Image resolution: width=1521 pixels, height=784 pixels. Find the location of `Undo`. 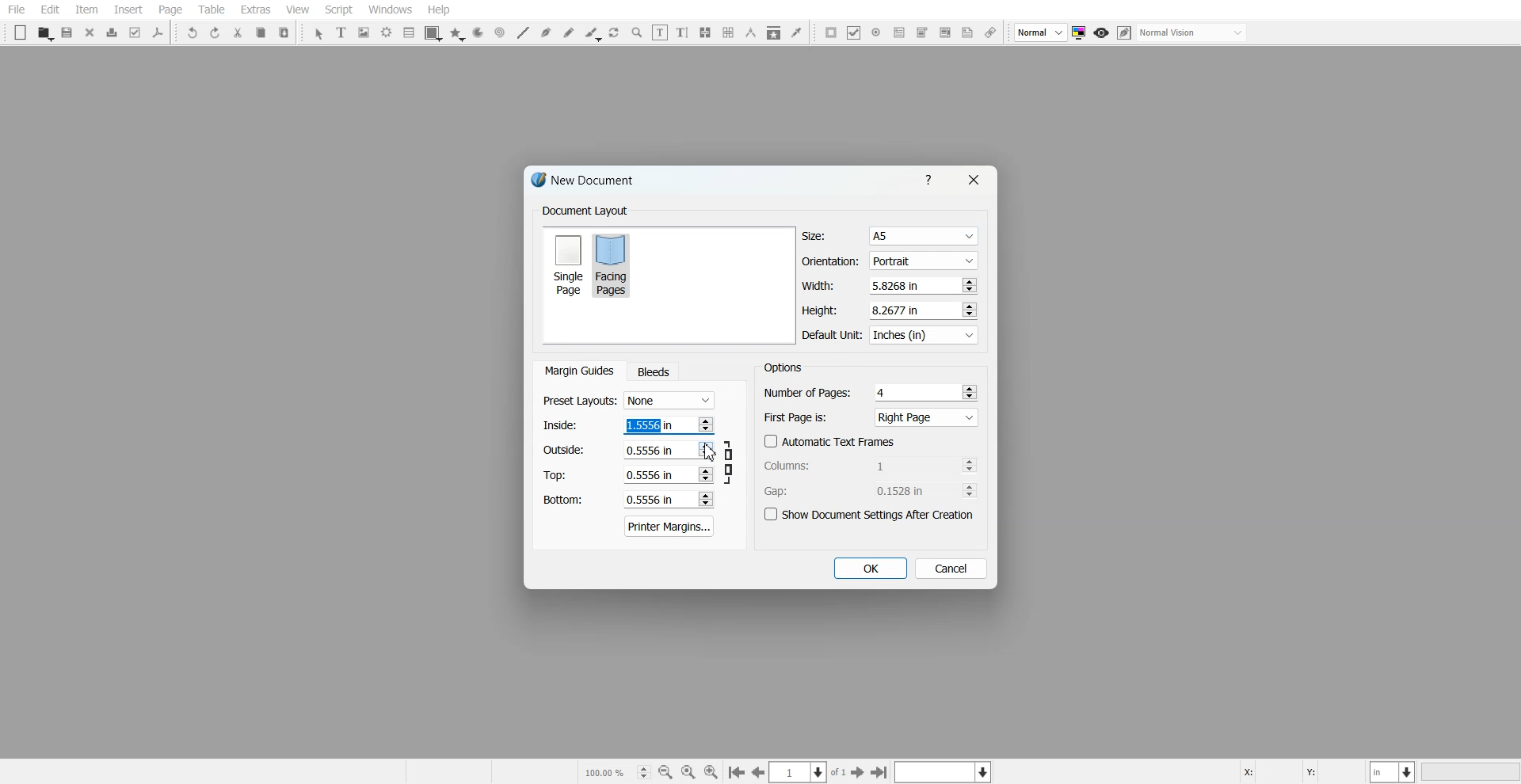

Undo is located at coordinates (193, 32).